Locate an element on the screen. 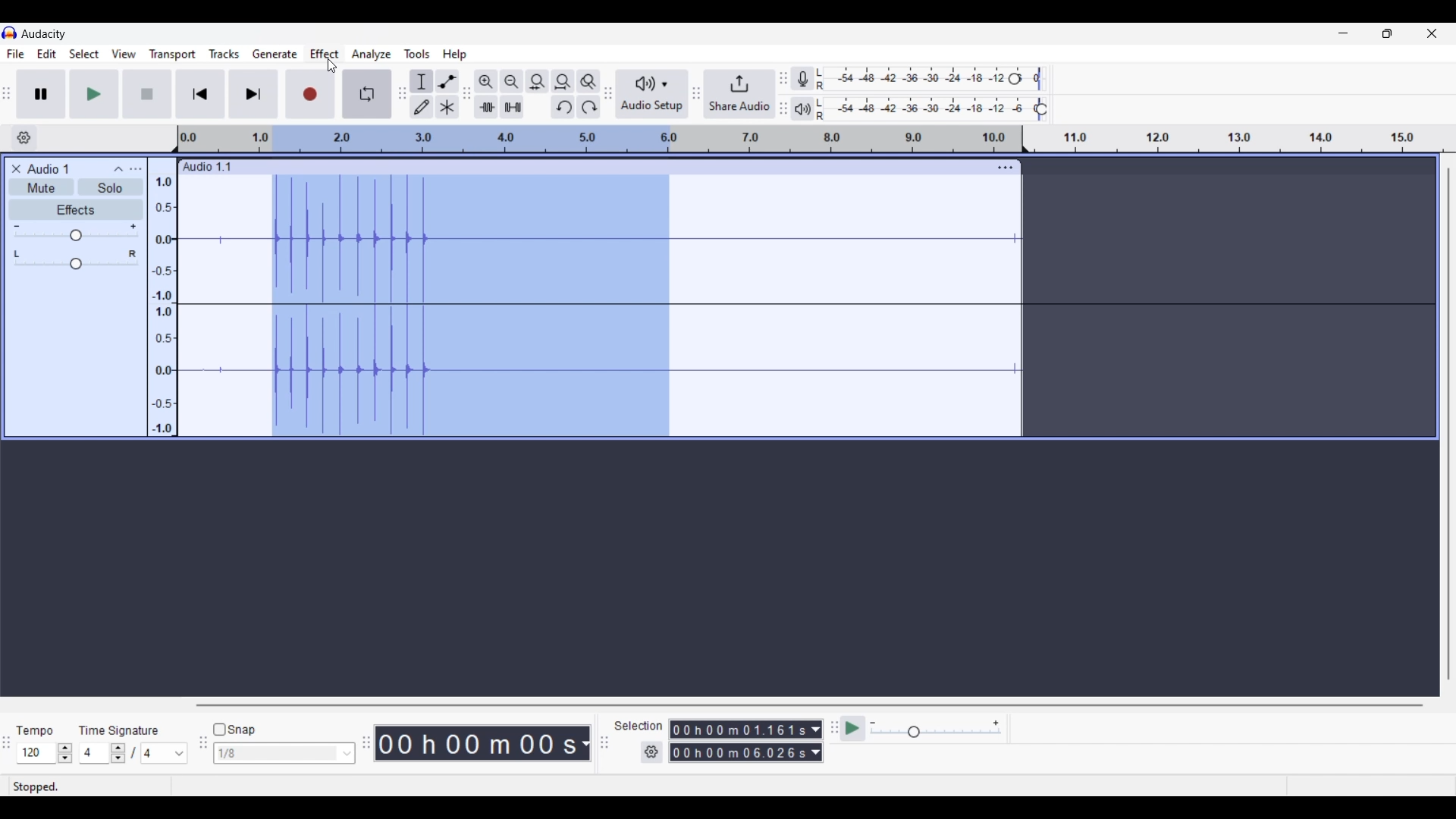 The height and width of the screenshot is (819, 1456). Maximum gain is located at coordinates (133, 226).